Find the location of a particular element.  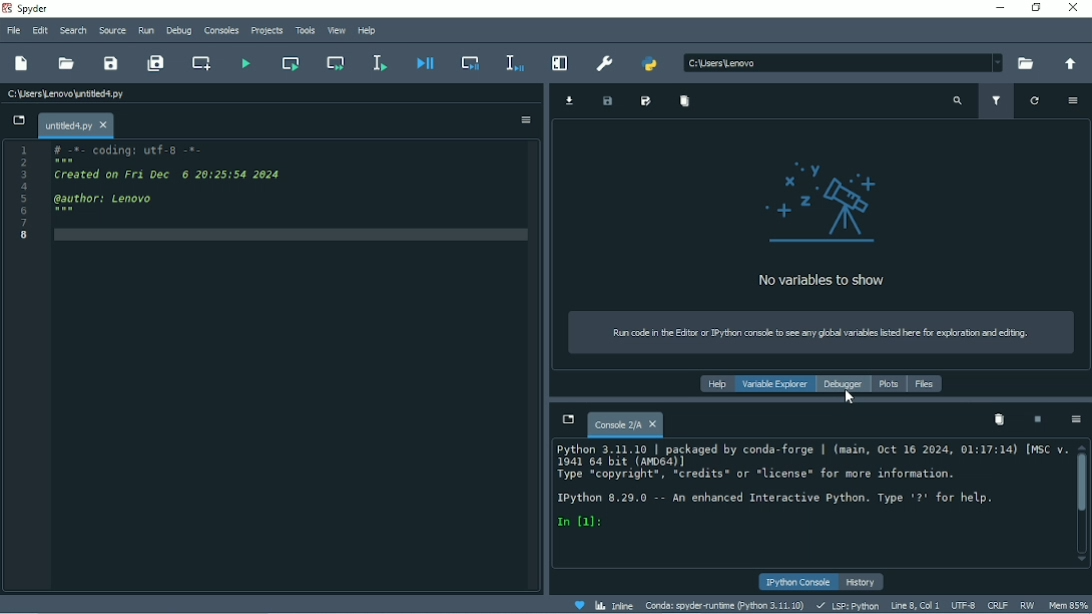

Edit is located at coordinates (39, 29).